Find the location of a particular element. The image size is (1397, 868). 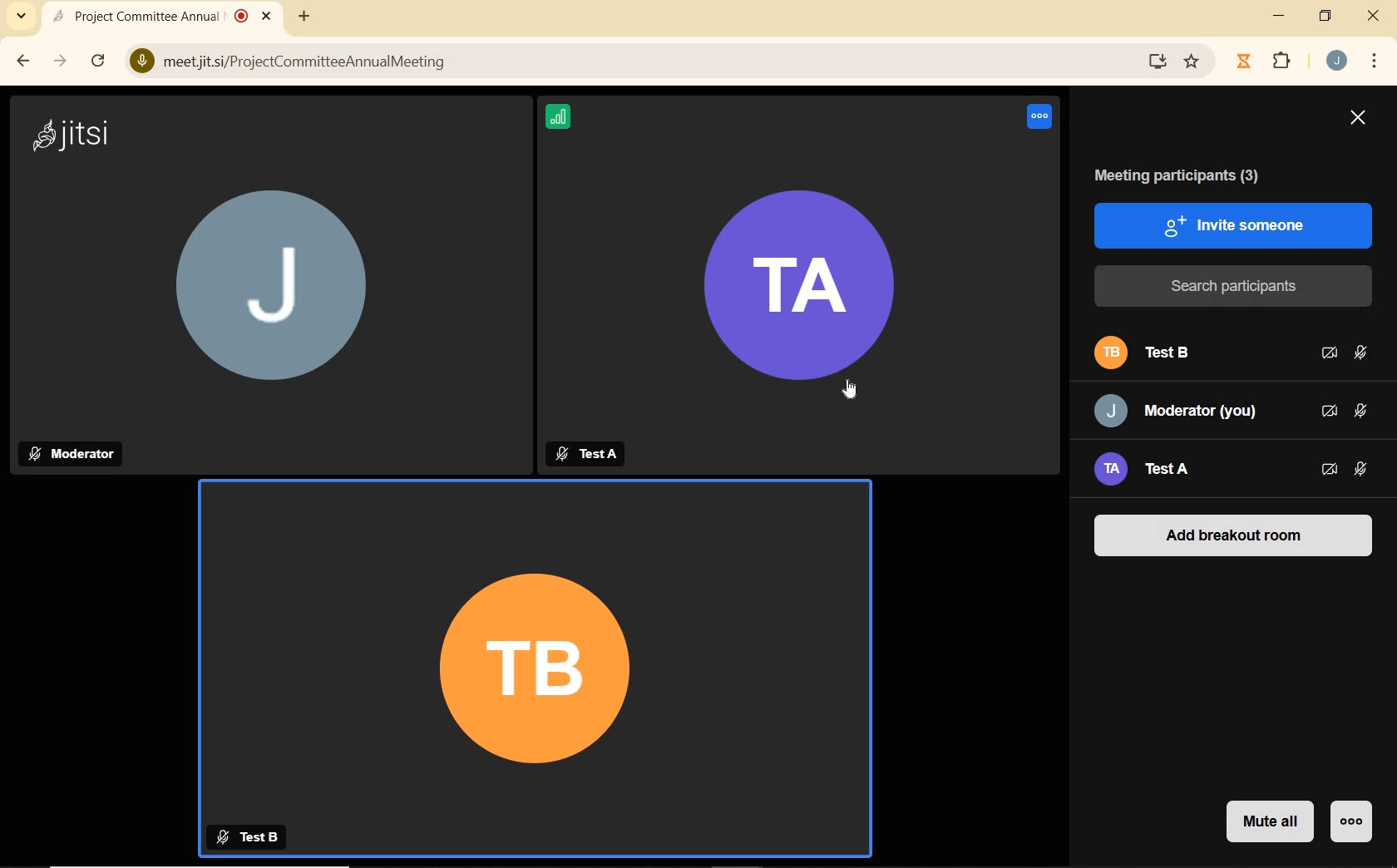

MINIMIZE is located at coordinates (1281, 18).